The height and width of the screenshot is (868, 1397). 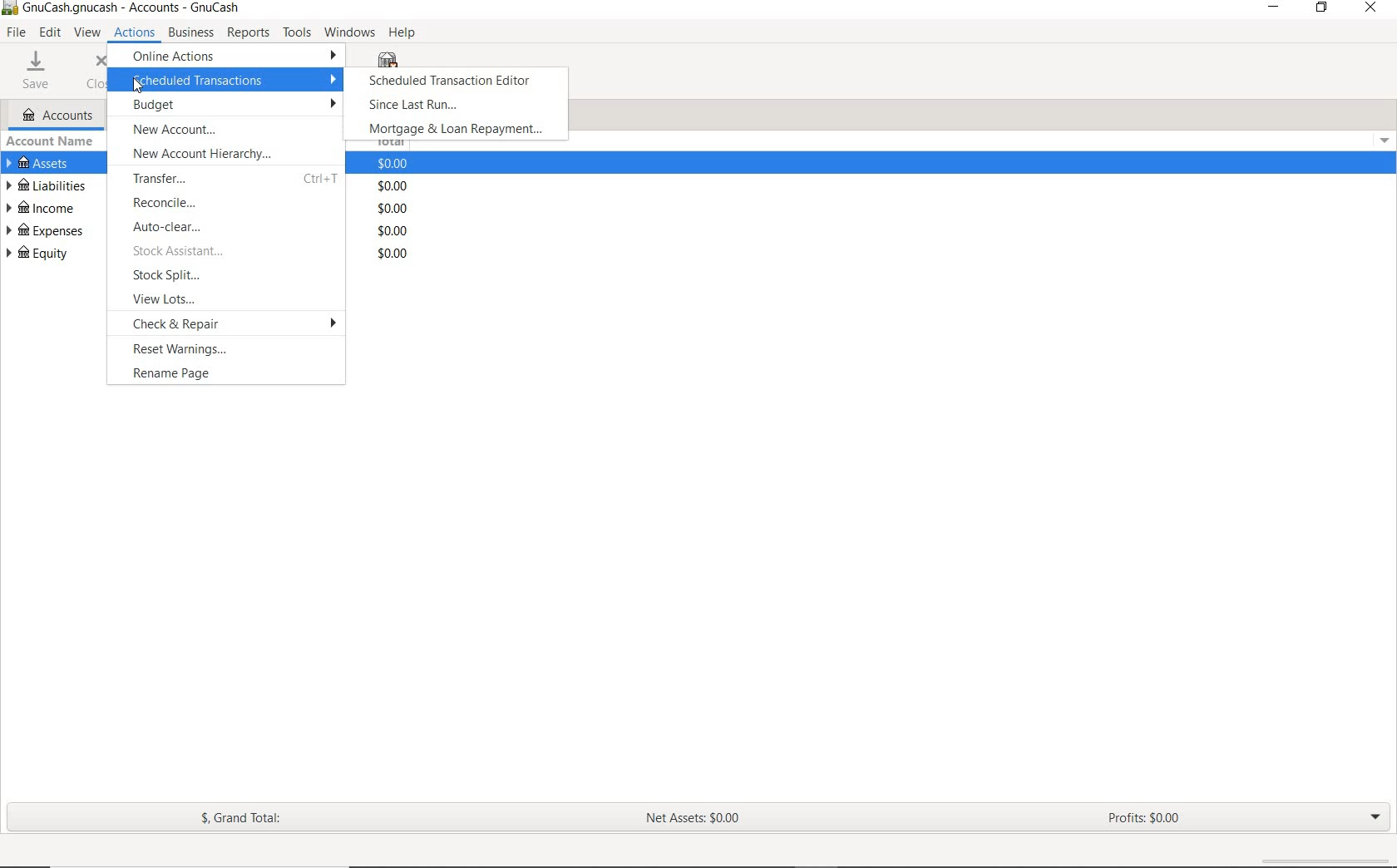 I want to click on ONLINE ACTIONS, so click(x=230, y=58).